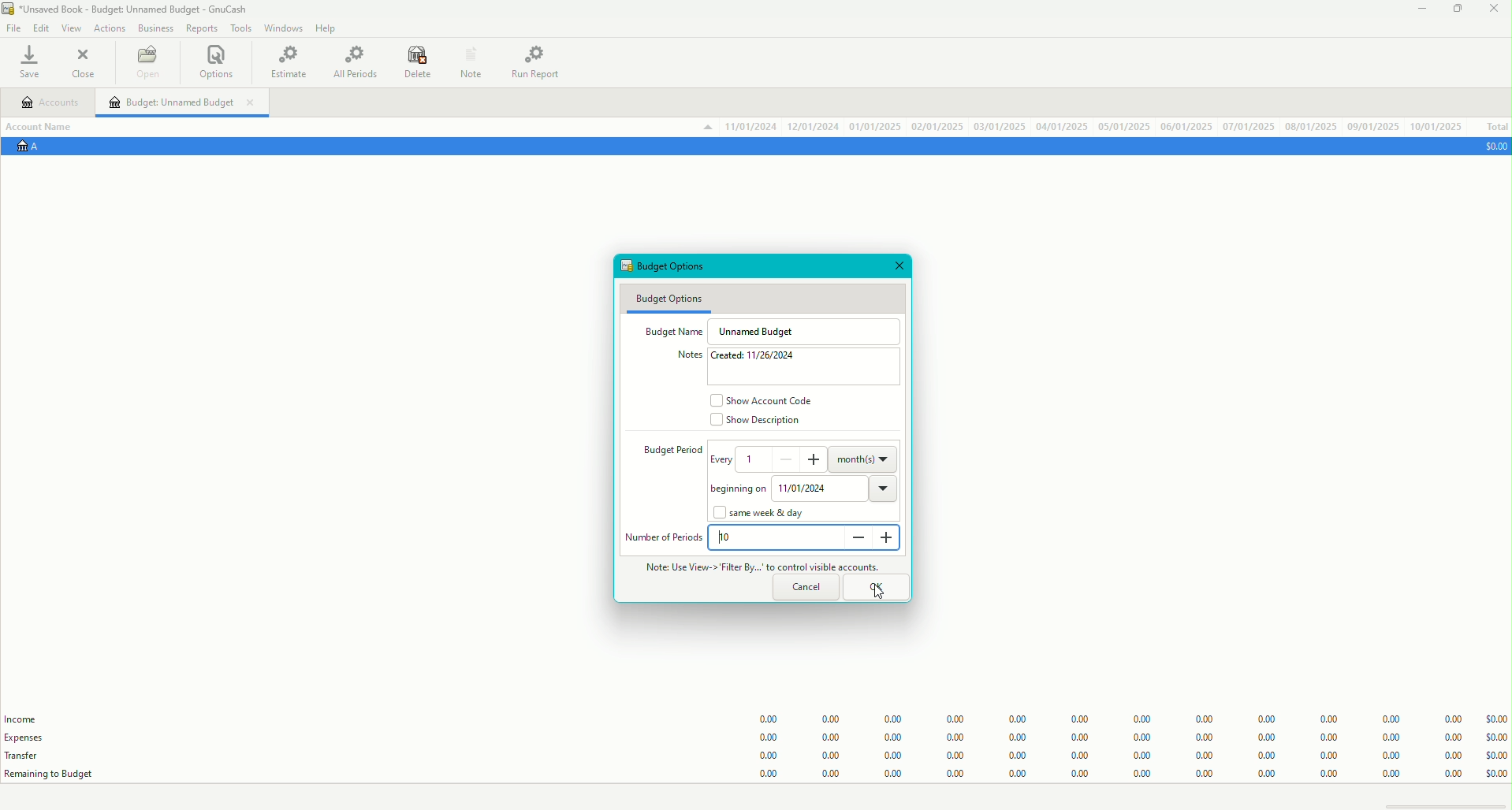 This screenshot has width=1512, height=810. What do you see at coordinates (34, 64) in the screenshot?
I see `Save` at bounding box center [34, 64].